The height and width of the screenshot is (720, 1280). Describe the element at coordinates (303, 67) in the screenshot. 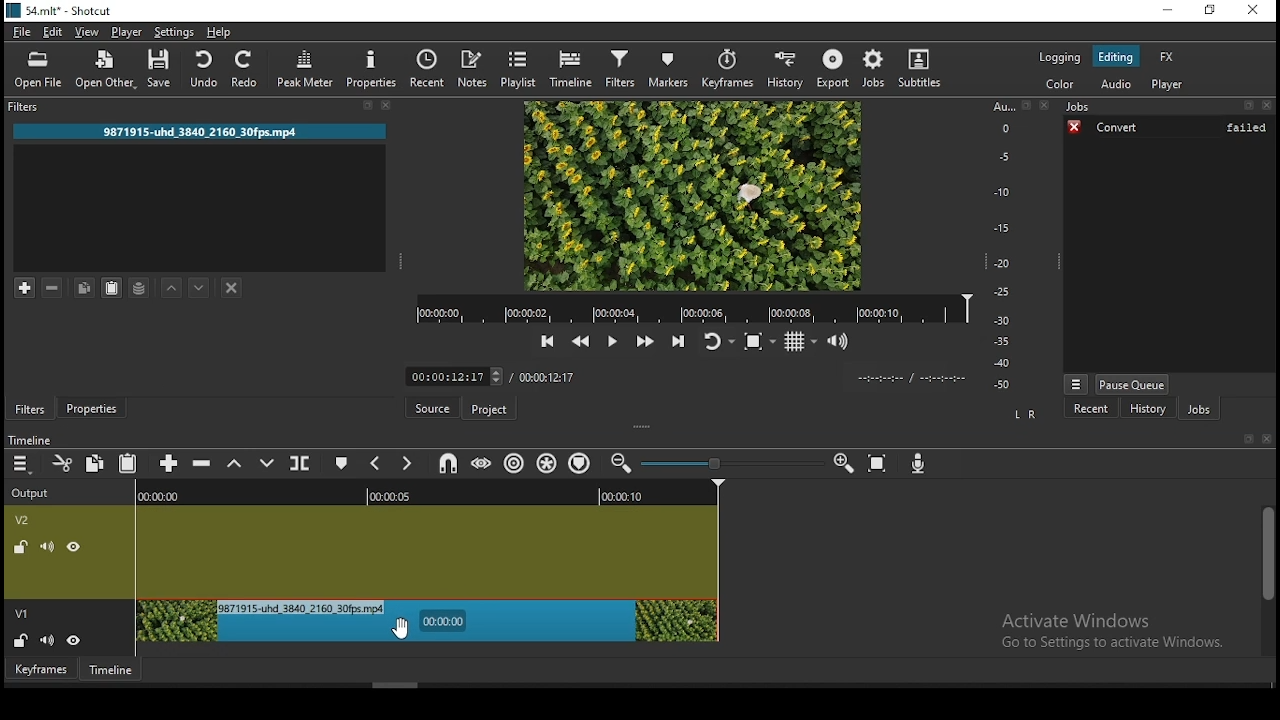

I see `peak meter` at that location.